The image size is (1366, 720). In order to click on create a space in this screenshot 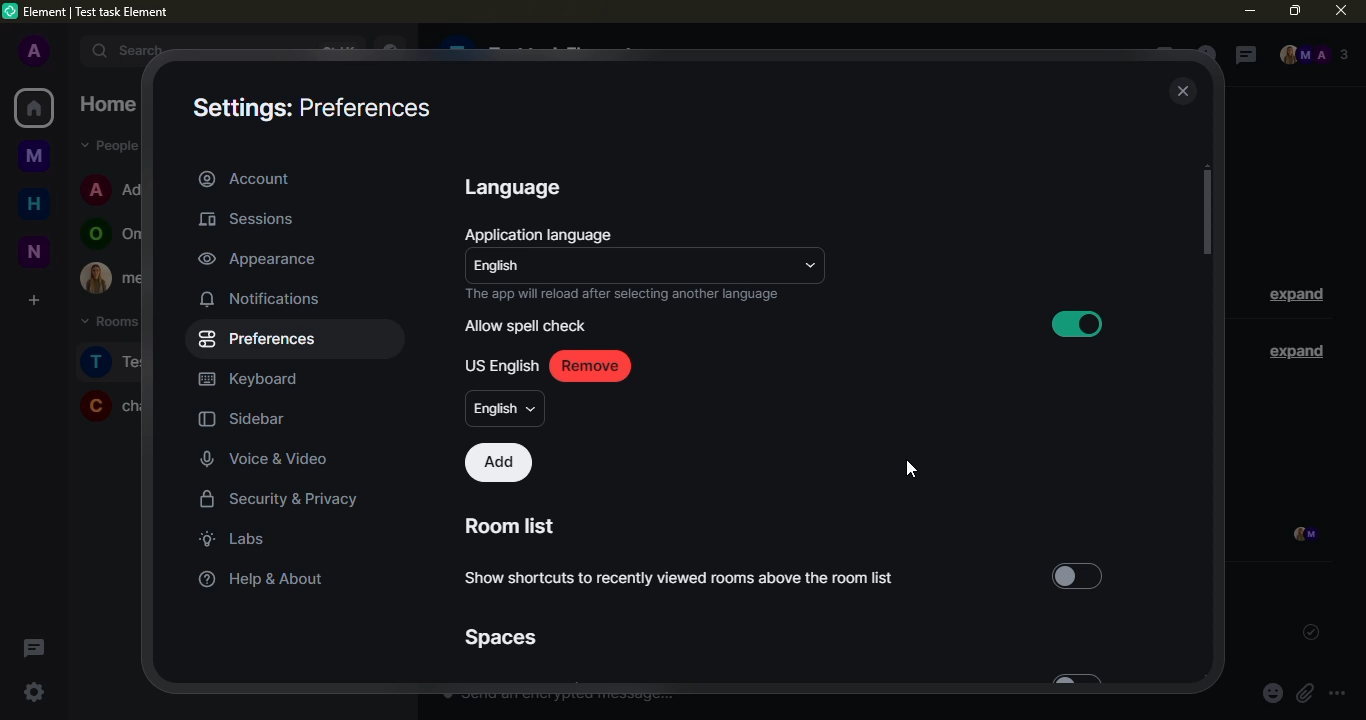, I will do `click(32, 299)`.